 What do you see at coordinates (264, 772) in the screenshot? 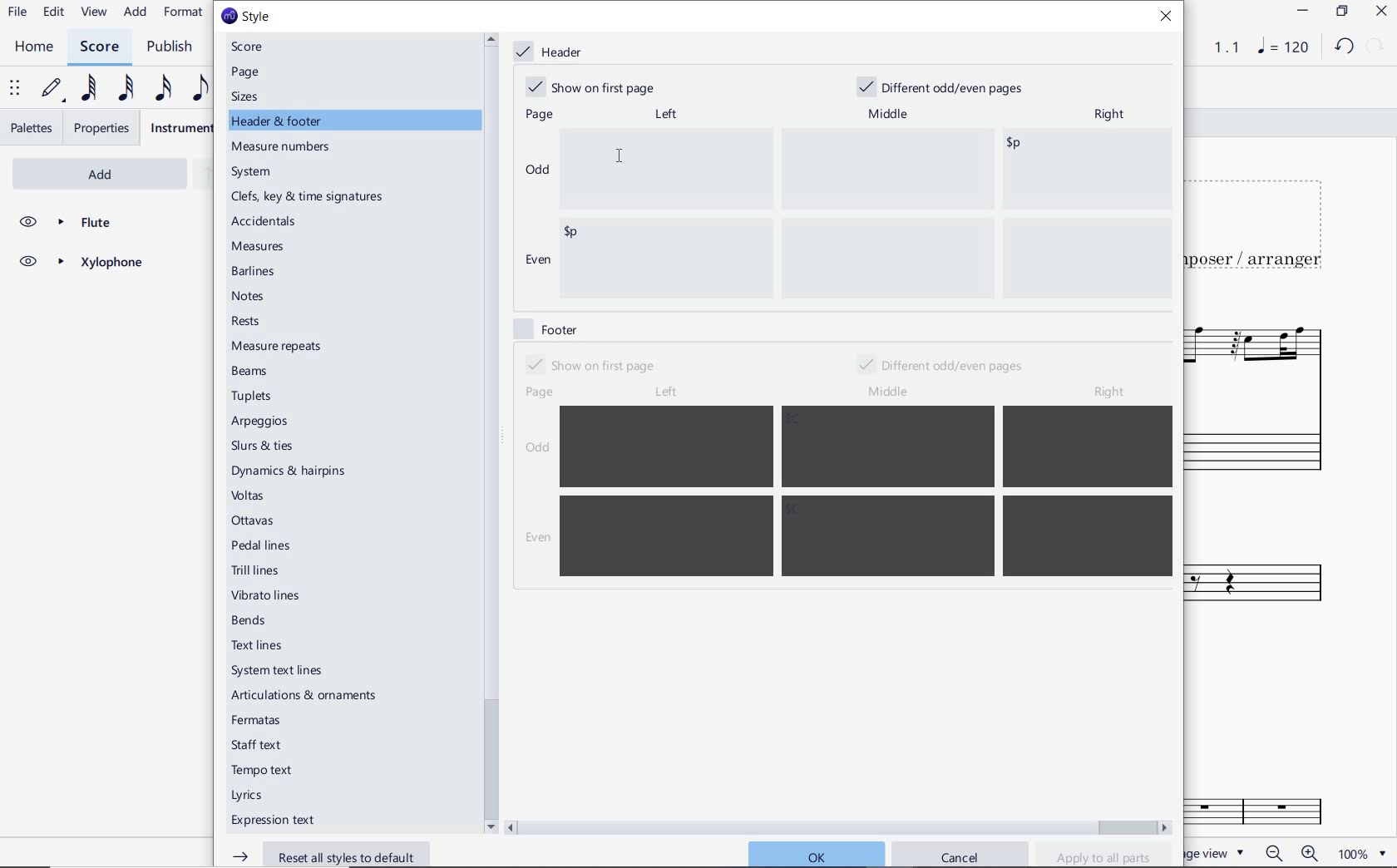
I see `tempo text` at bounding box center [264, 772].